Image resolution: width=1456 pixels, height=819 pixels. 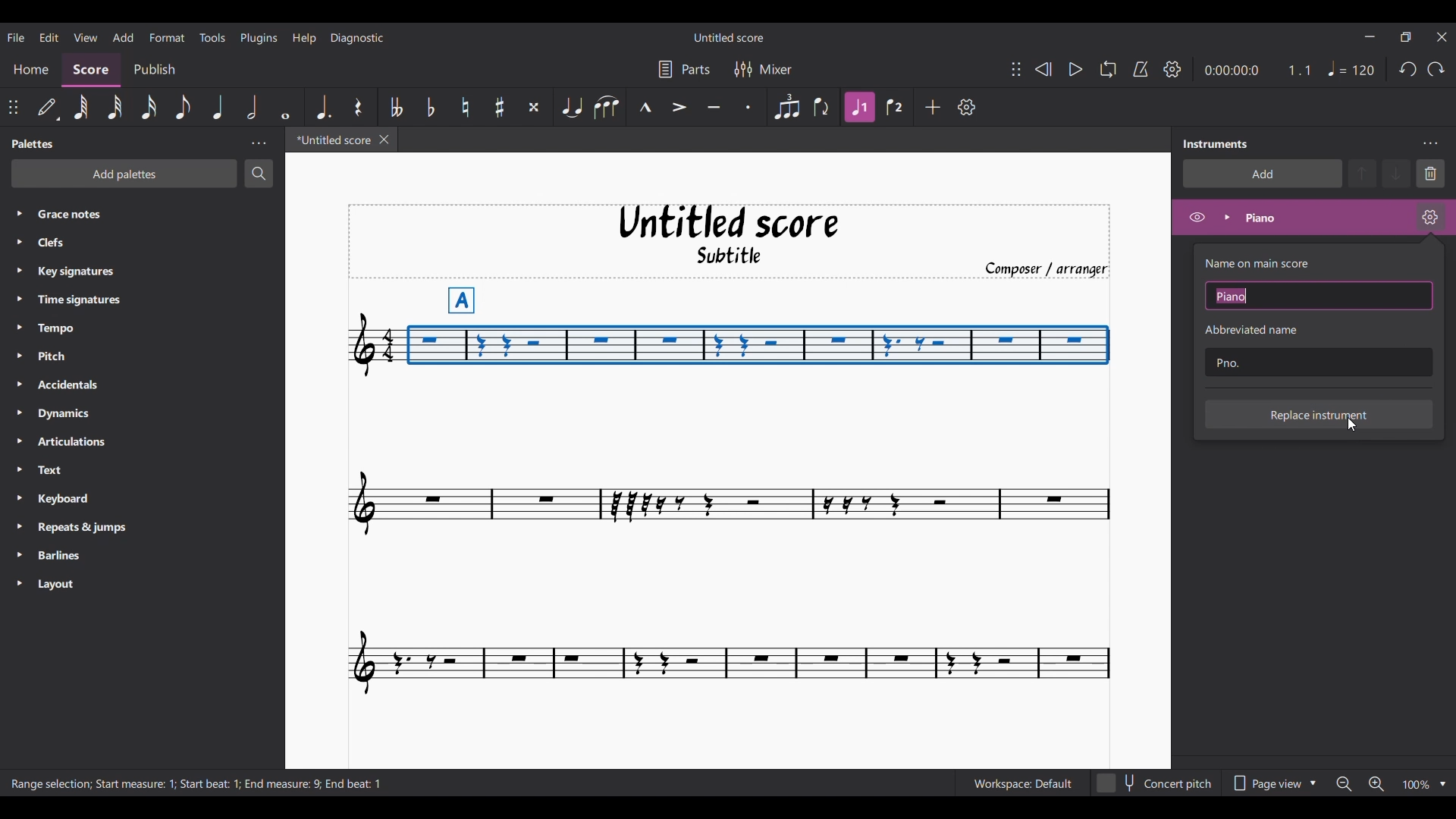 What do you see at coordinates (358, 38) in the screenshot?
I see `Diagnostic menu` at bounding box center [358, 38].